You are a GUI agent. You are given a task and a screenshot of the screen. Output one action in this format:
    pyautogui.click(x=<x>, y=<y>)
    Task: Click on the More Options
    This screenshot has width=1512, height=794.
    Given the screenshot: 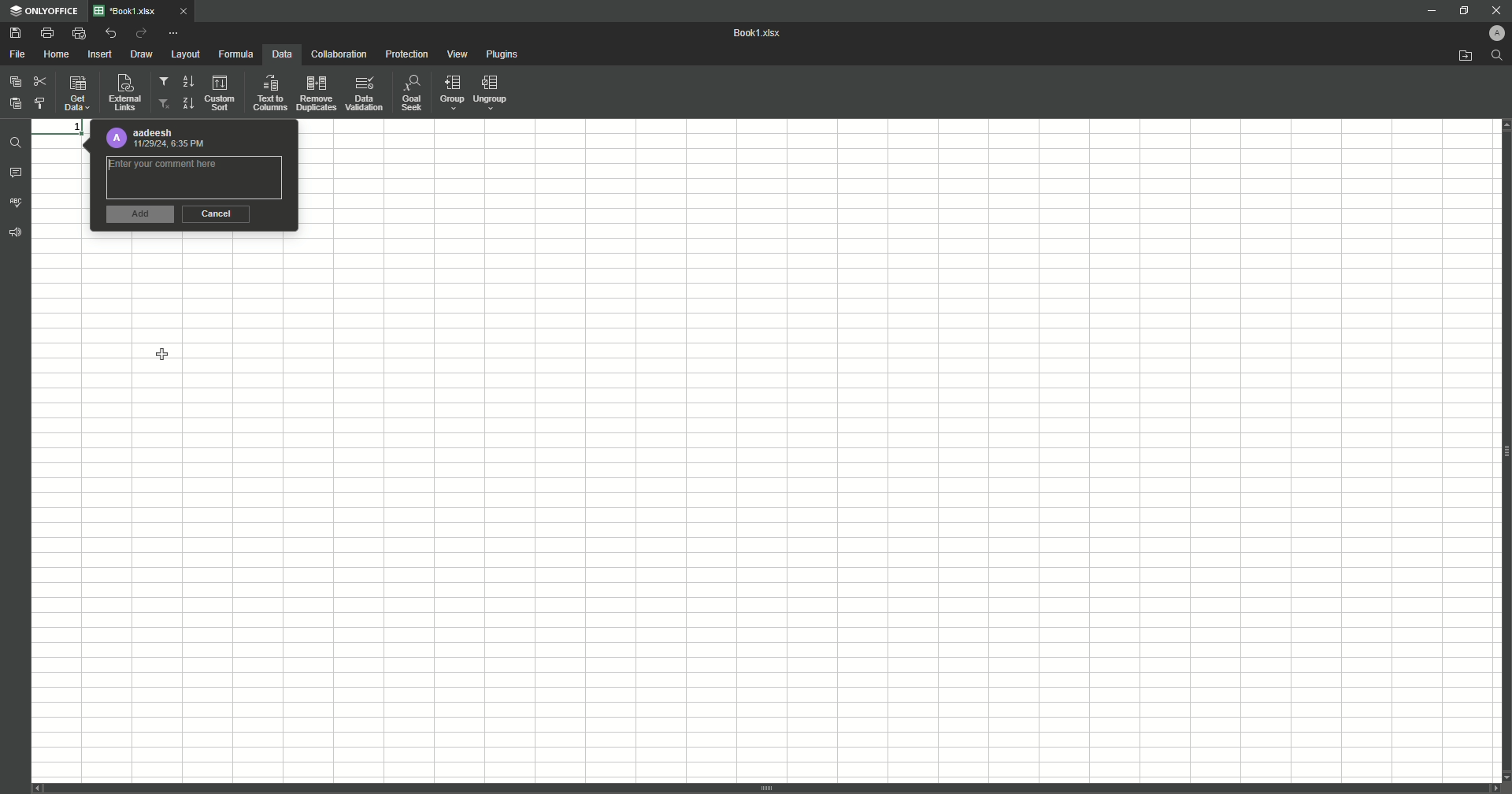 What is the action you would take?
    pyautogui.click(x=176, y=32)
    